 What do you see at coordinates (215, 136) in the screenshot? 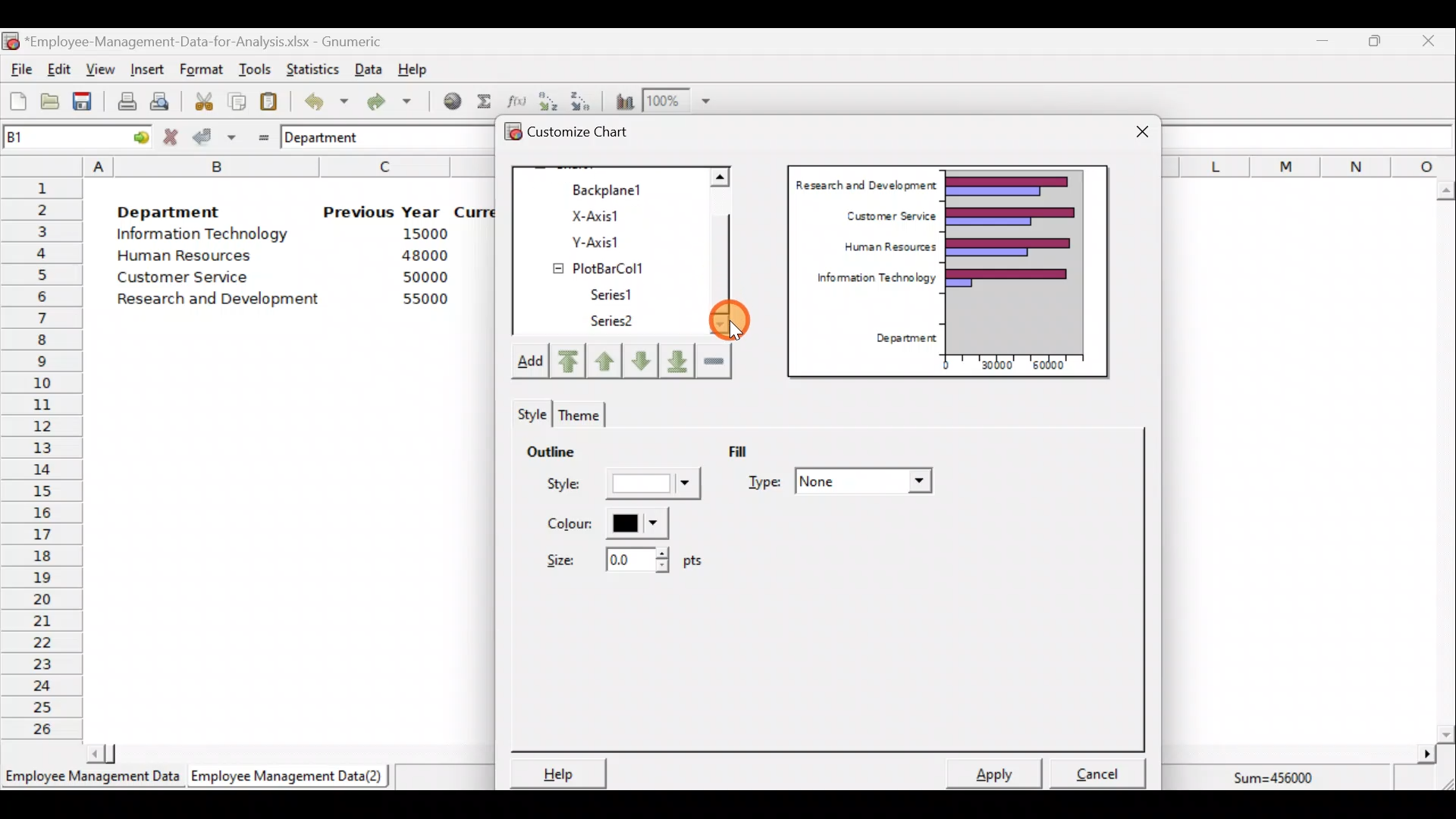
I see `Accept change` at bounding box center [215, 136].